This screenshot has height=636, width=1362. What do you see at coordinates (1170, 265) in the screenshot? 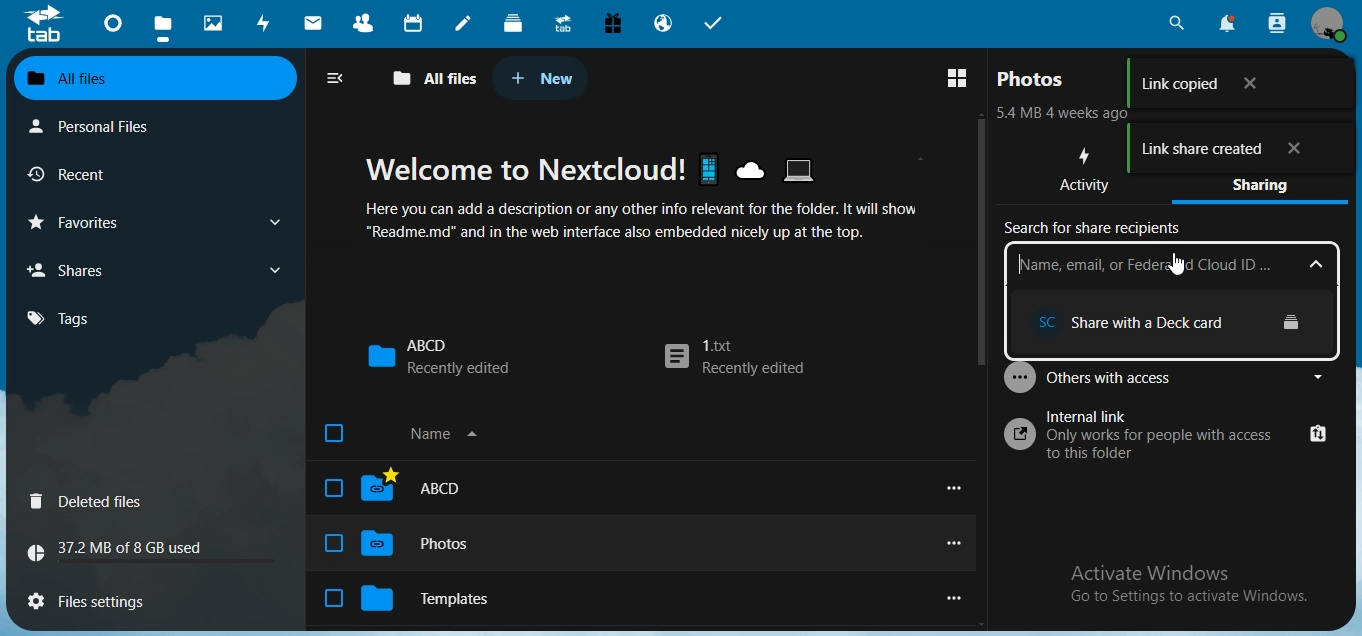
I see `name, email, or federated Cloud ID` at bounding box center [1170, 265].